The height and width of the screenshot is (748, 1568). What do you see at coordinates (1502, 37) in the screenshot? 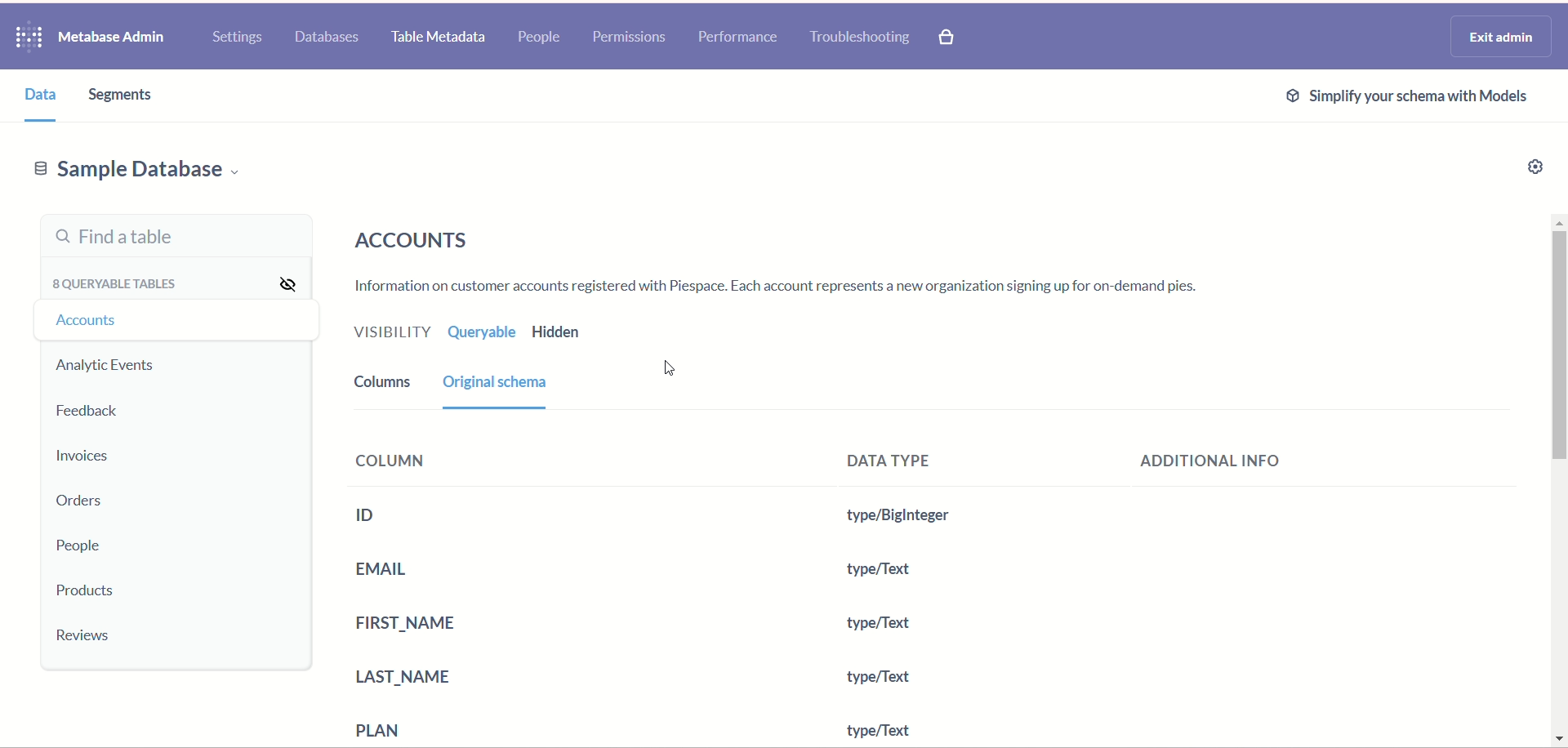
I see `exit admin` at bounding box center [1502, 37].